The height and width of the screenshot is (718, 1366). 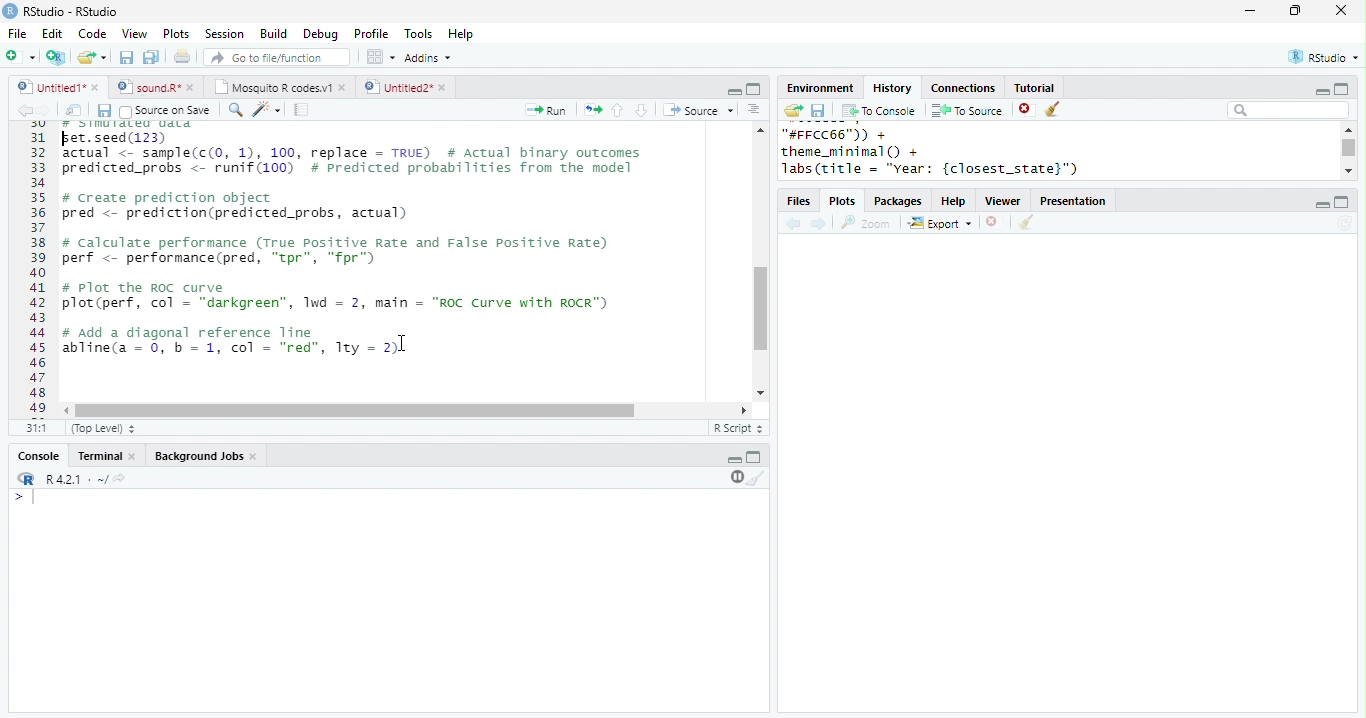 I want to click on R 4.2.1 .~/, so click(x=73, y=480).